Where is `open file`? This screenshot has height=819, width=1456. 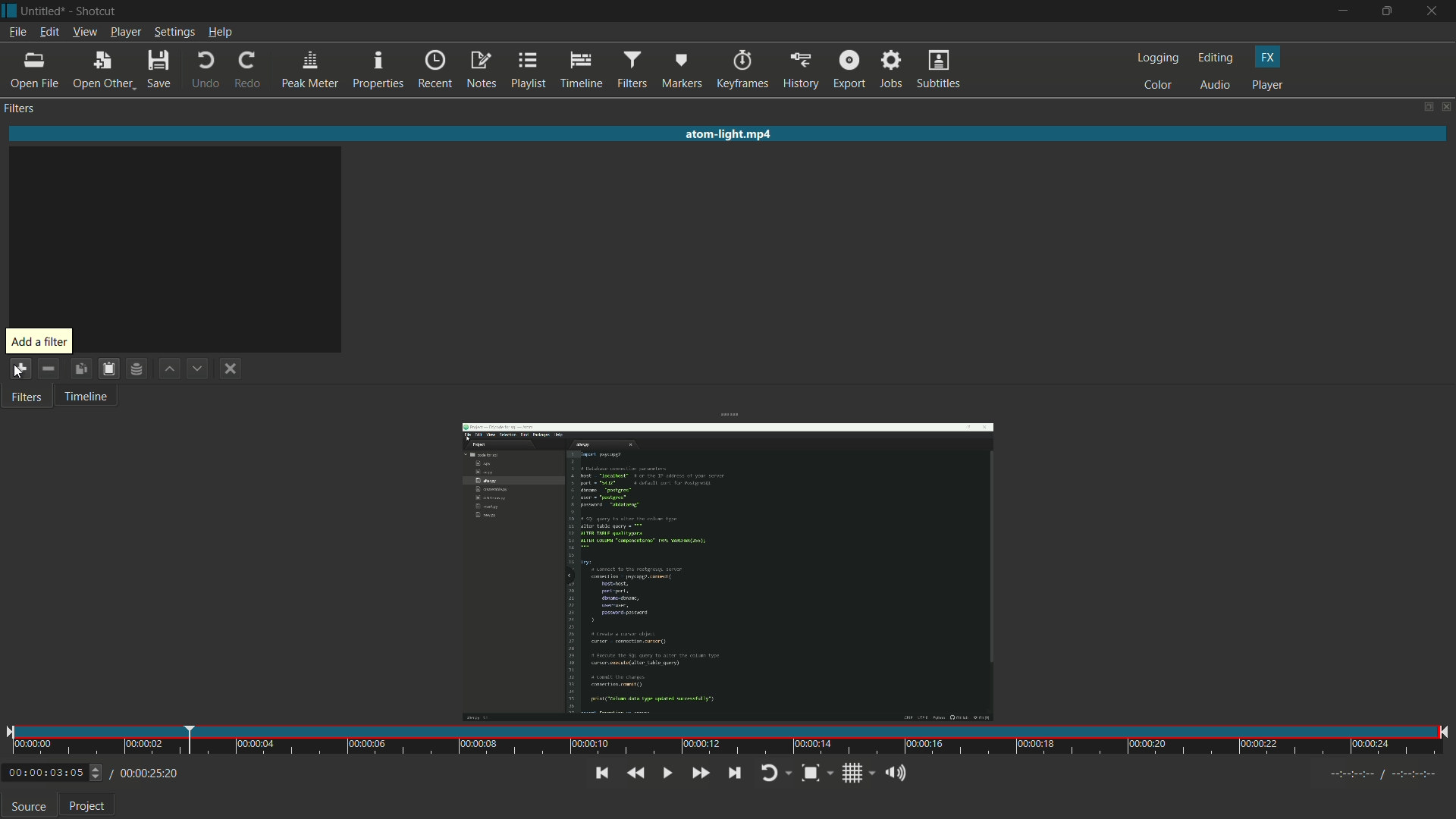
open file is located at coordinates (37, 71).